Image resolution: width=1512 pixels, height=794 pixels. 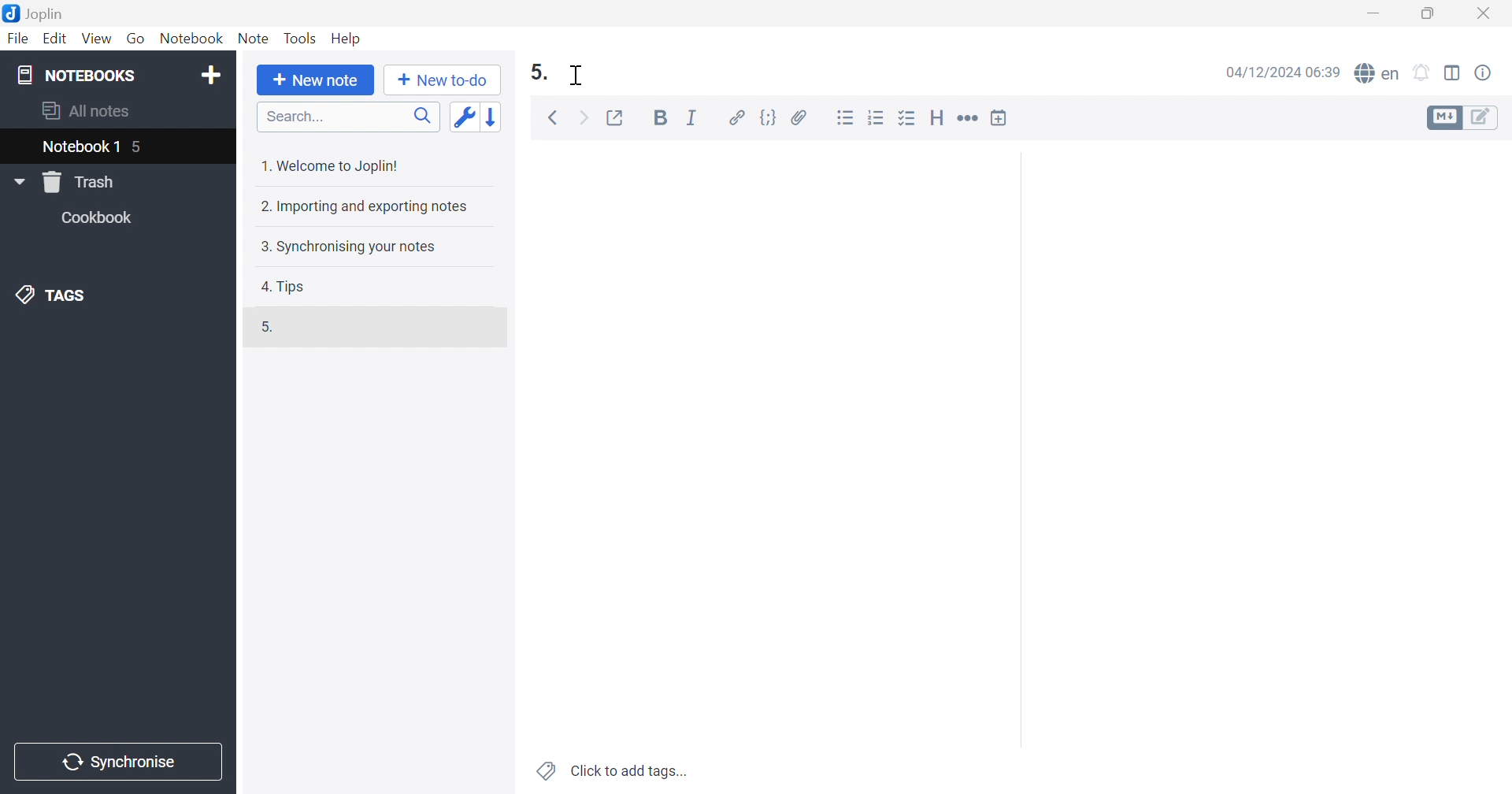 What do you see at coordinates (369, 206) in the screenshot?
I see `2. Importing and exporting notes` at bounding box center [369, 206].